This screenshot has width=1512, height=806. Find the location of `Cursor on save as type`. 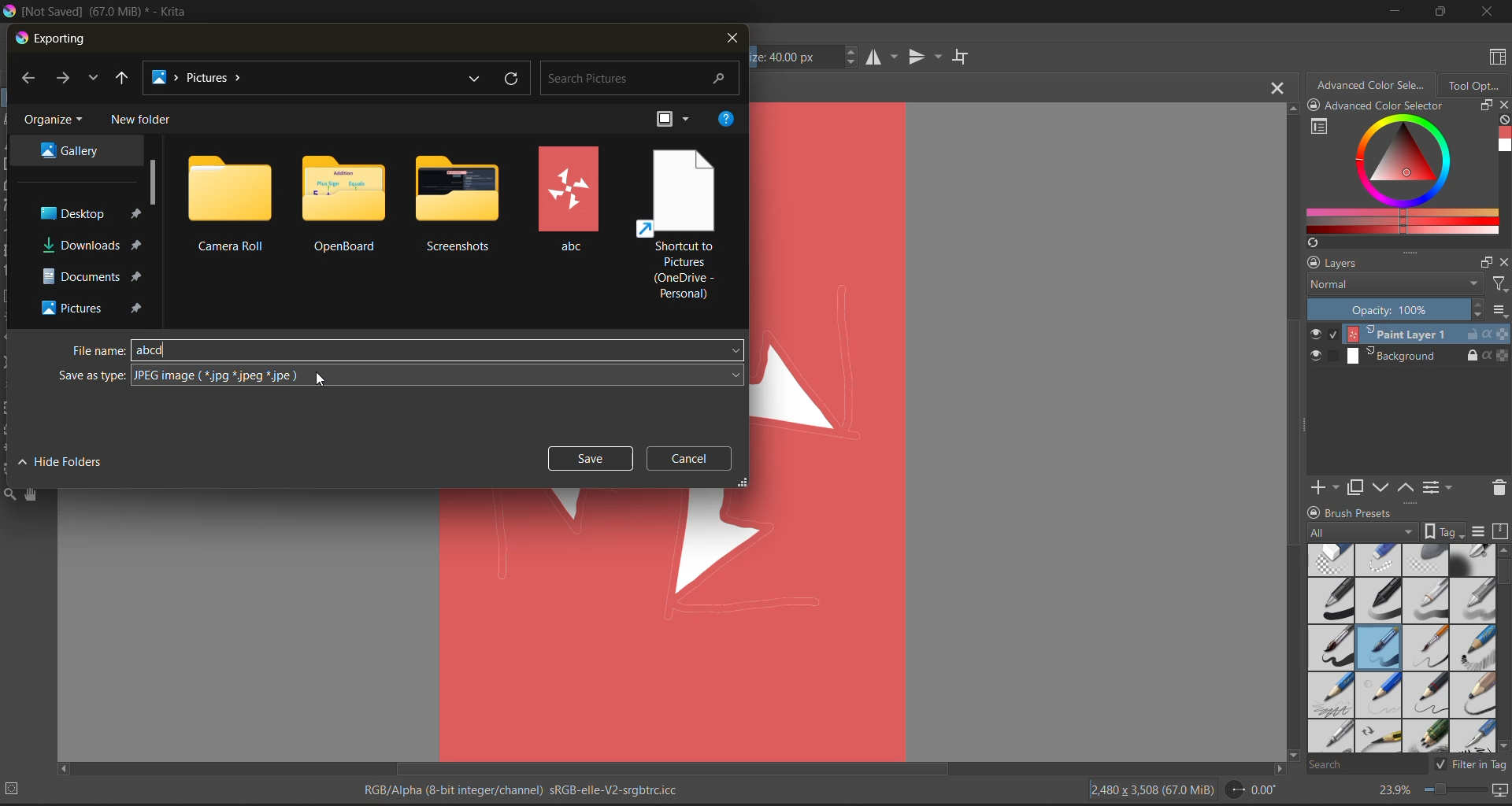

Cursor on save as type is located at coordinates (400, 375).